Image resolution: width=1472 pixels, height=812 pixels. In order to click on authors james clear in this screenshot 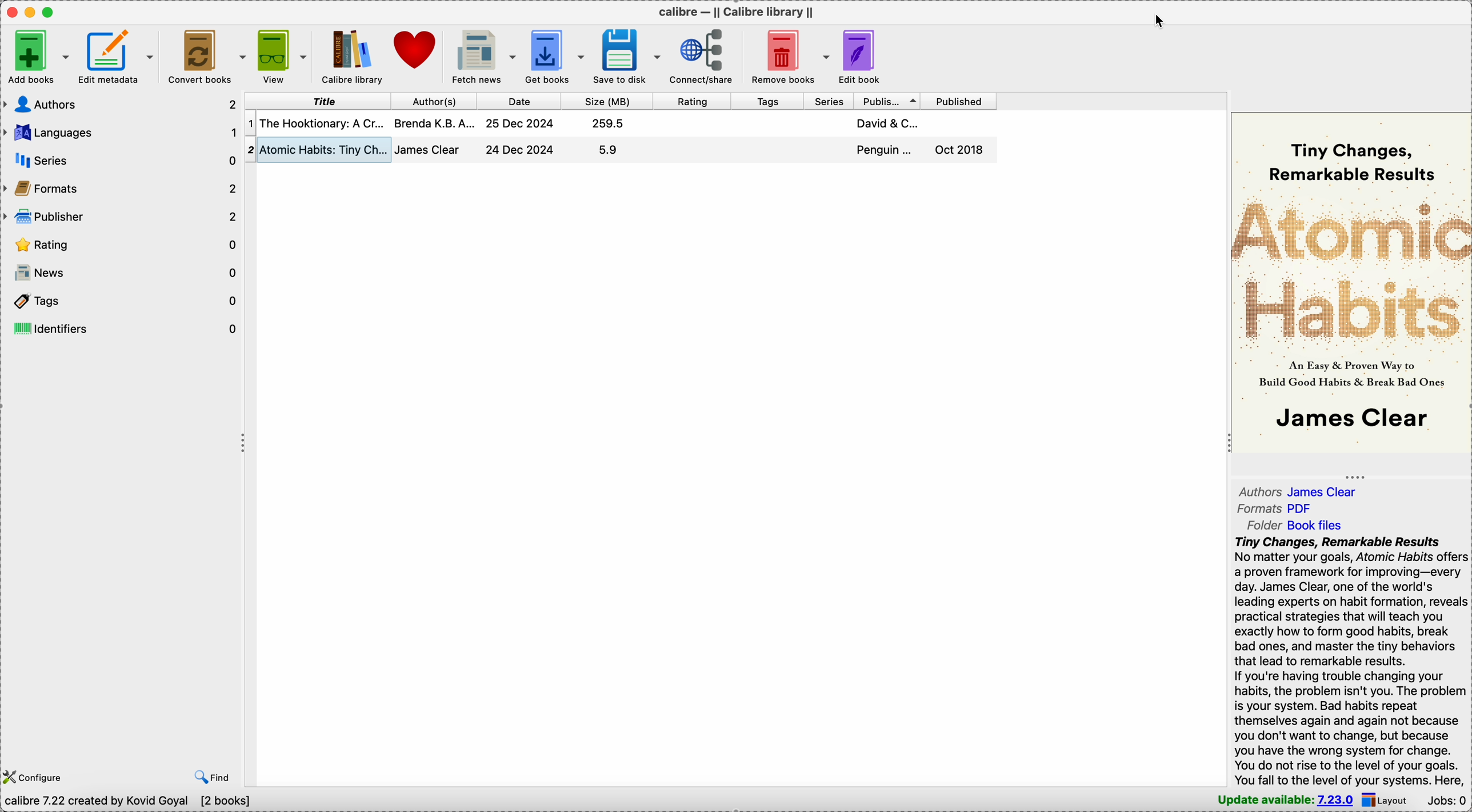, I will do `click(1298, 491)`.